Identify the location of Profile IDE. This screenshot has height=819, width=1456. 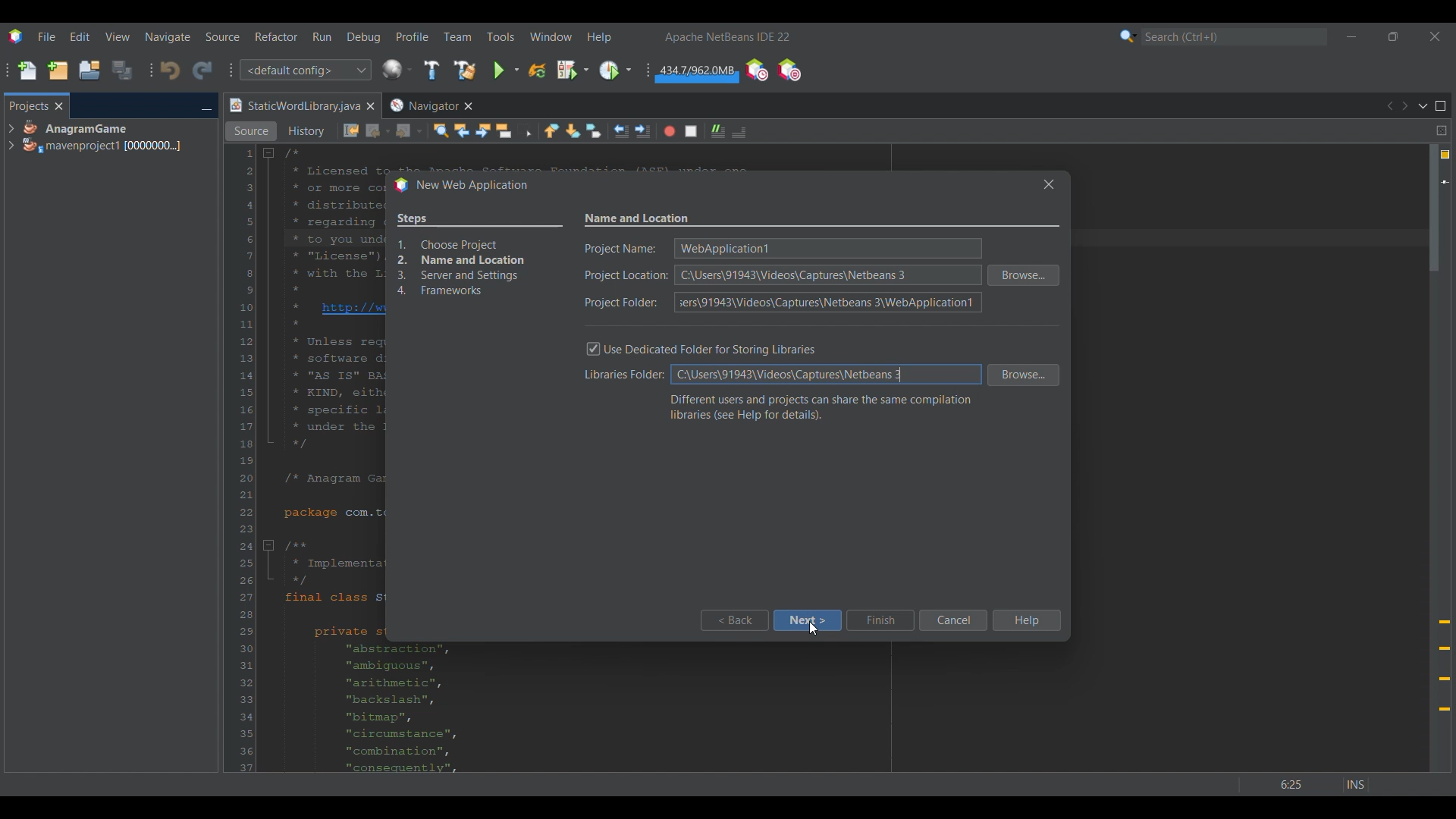
(756, 71).